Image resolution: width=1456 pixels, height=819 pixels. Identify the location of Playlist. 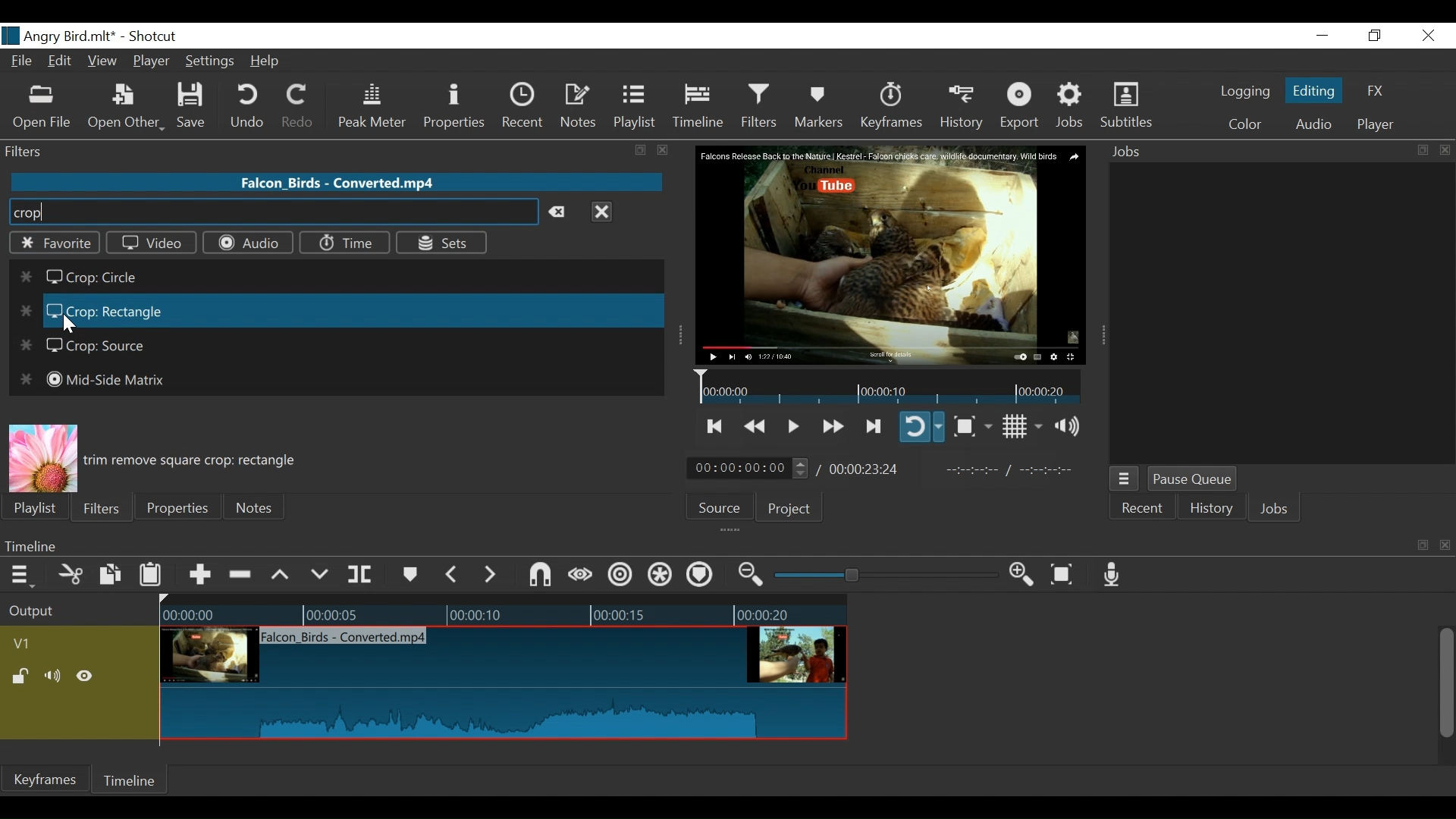
(36, 508).